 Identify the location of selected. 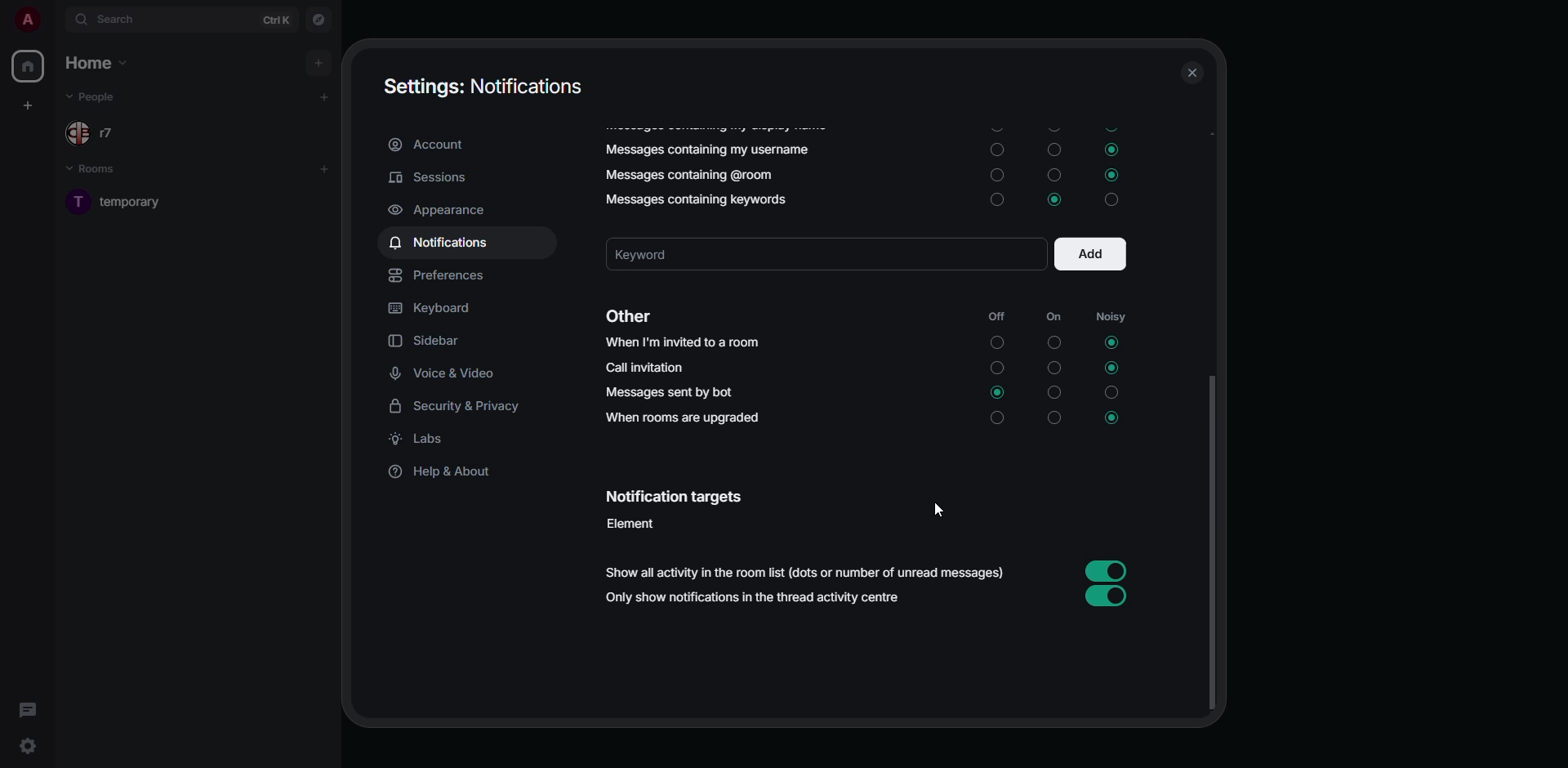
(1112, 151).